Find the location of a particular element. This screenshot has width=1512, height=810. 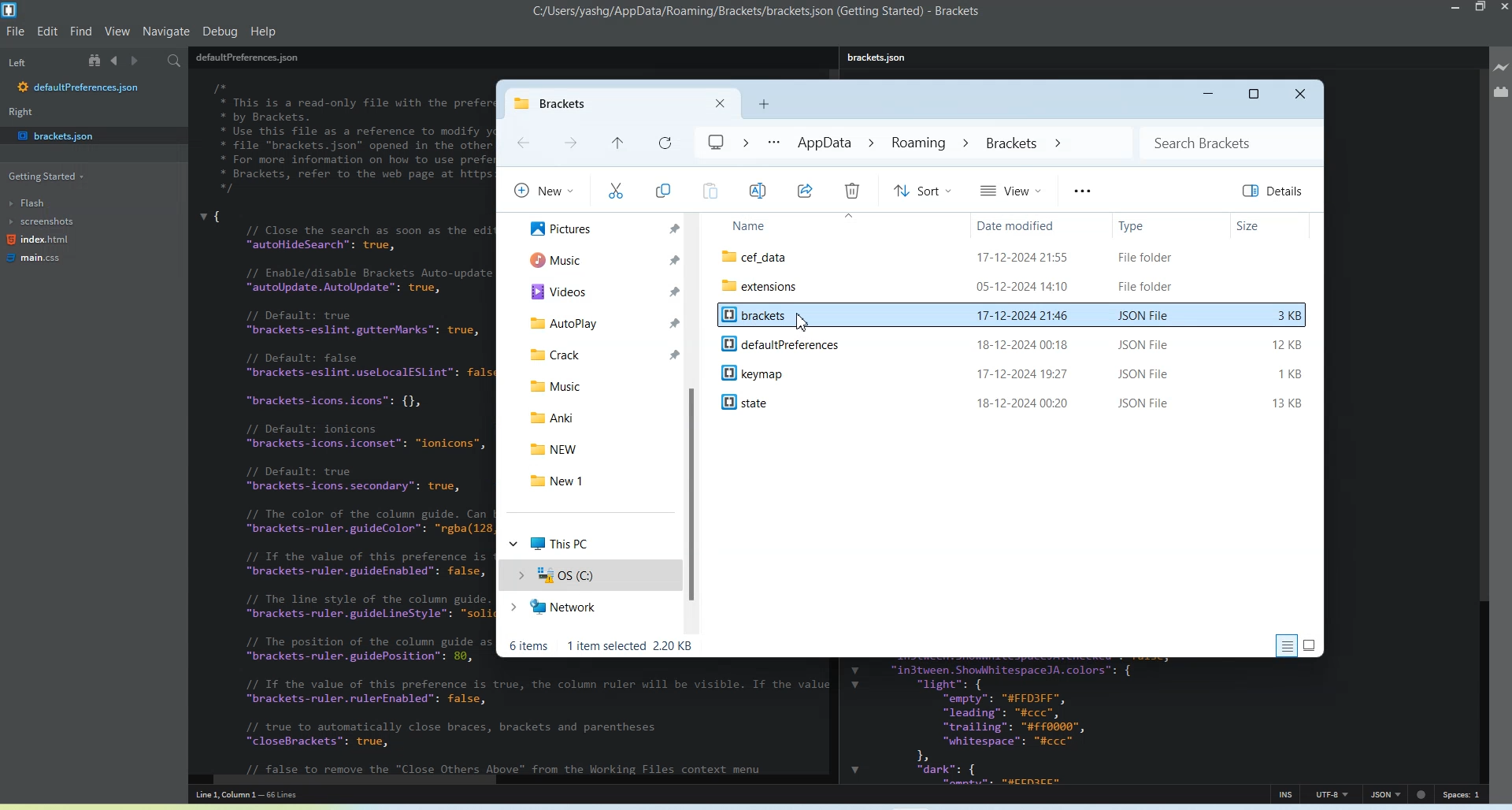

Find in files is located at coordinates (177, 61).